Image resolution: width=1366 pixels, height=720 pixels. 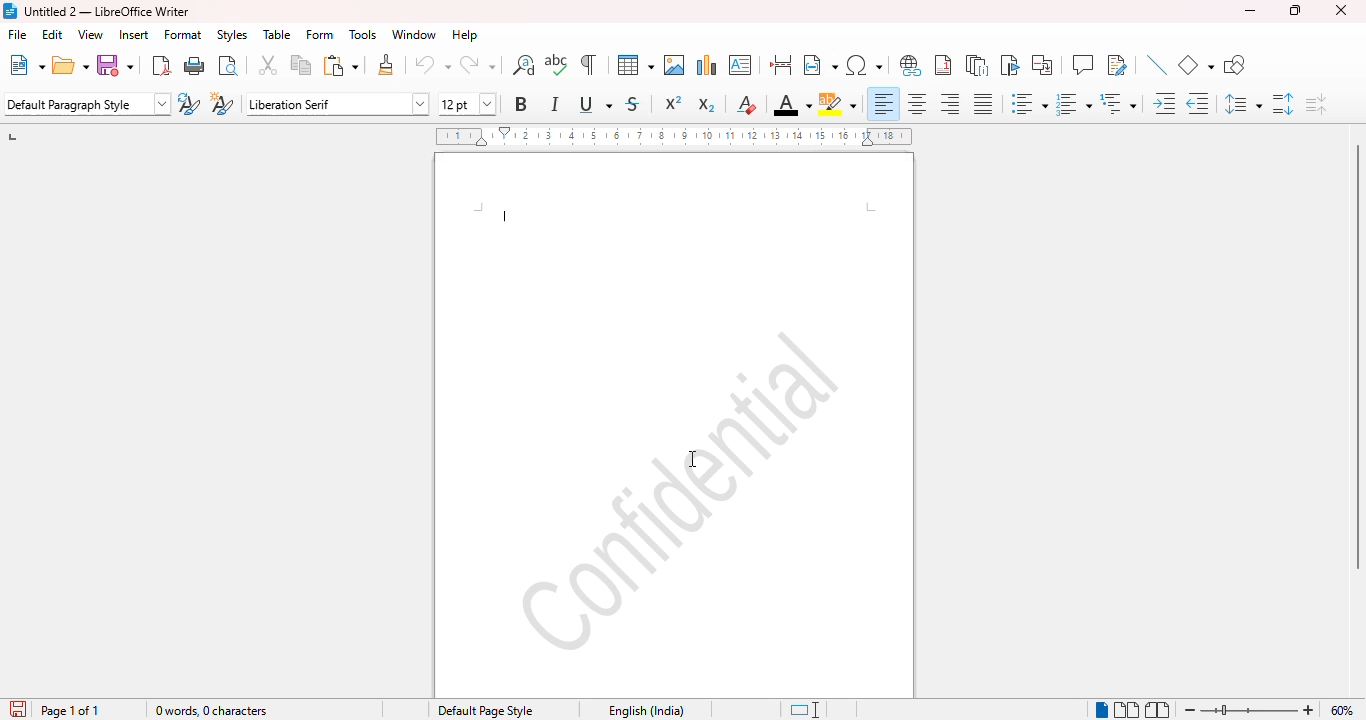 I want to click on minimize, so click(x=1250, y=11).